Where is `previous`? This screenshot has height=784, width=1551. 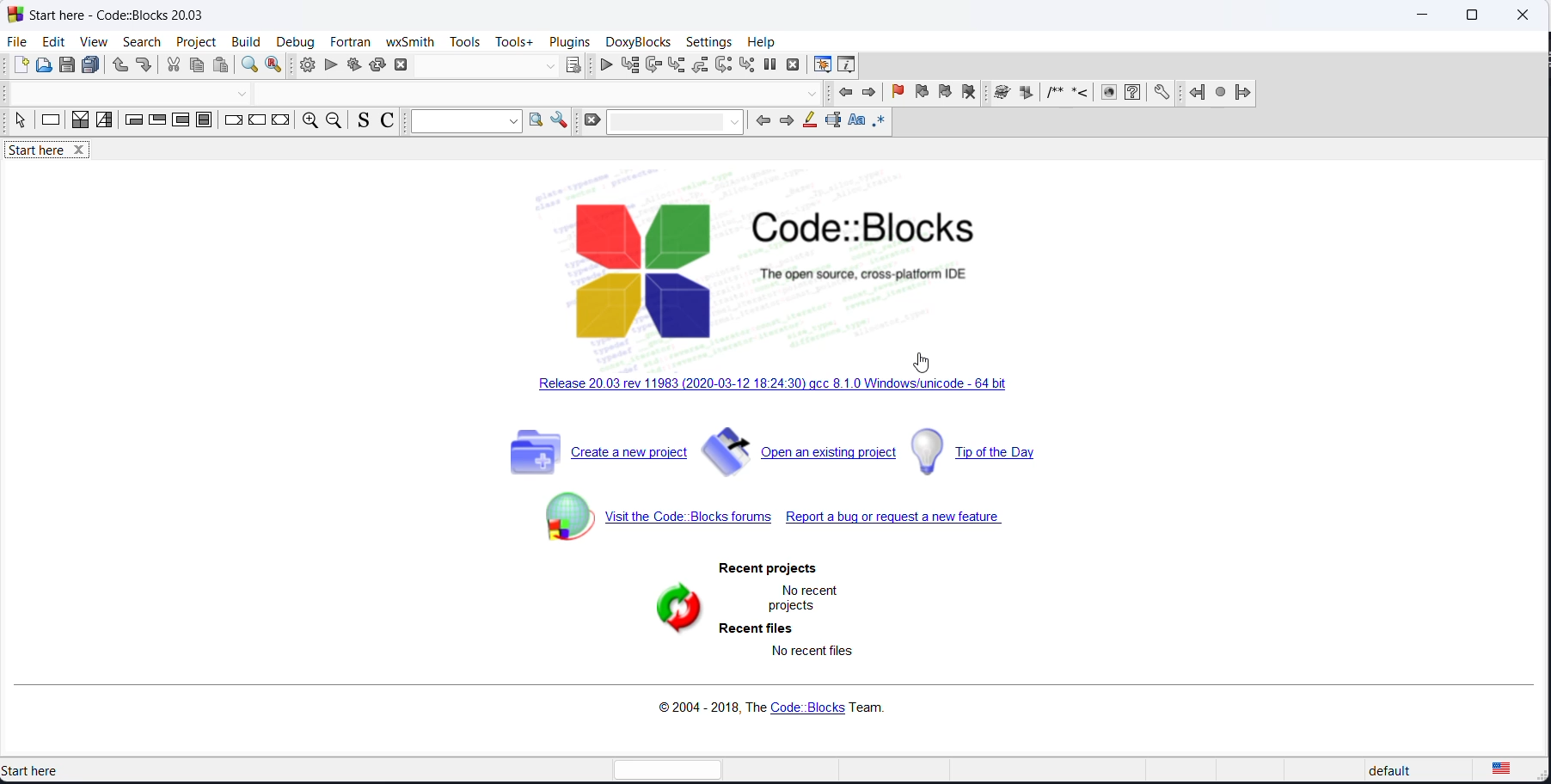
previous is located at coordinates (846, 94).